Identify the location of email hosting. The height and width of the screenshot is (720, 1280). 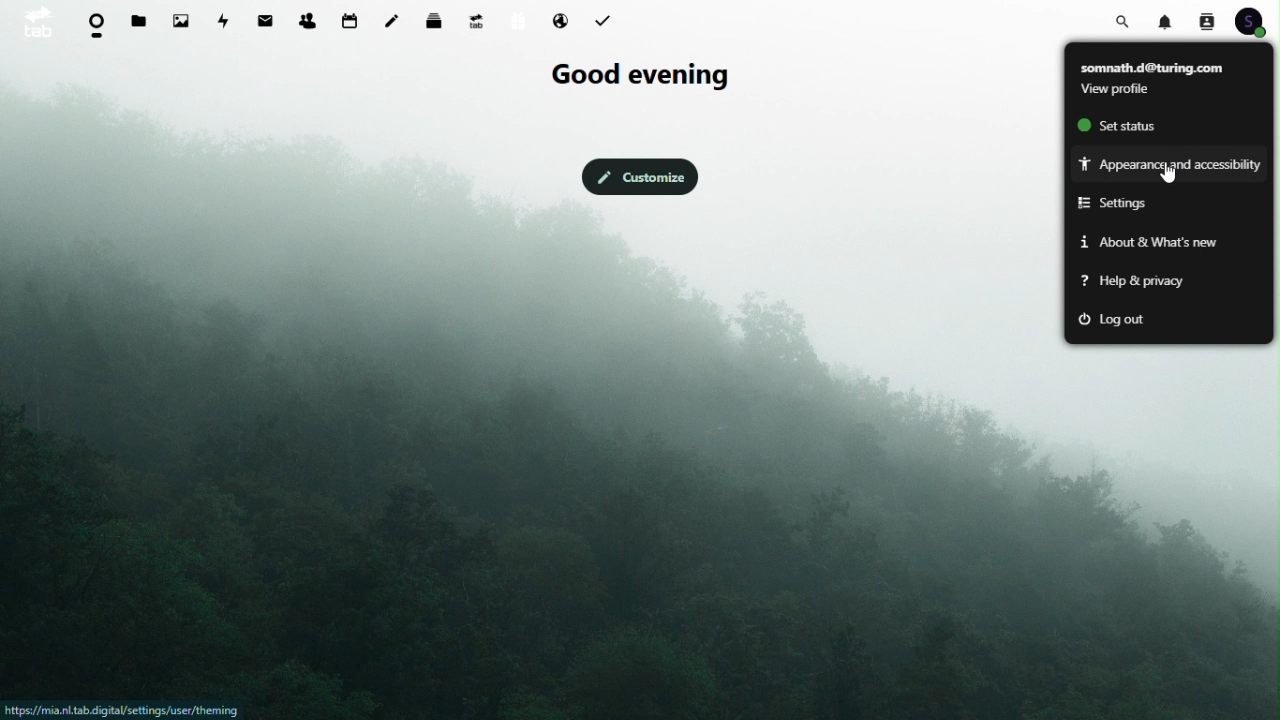
(560, 22).